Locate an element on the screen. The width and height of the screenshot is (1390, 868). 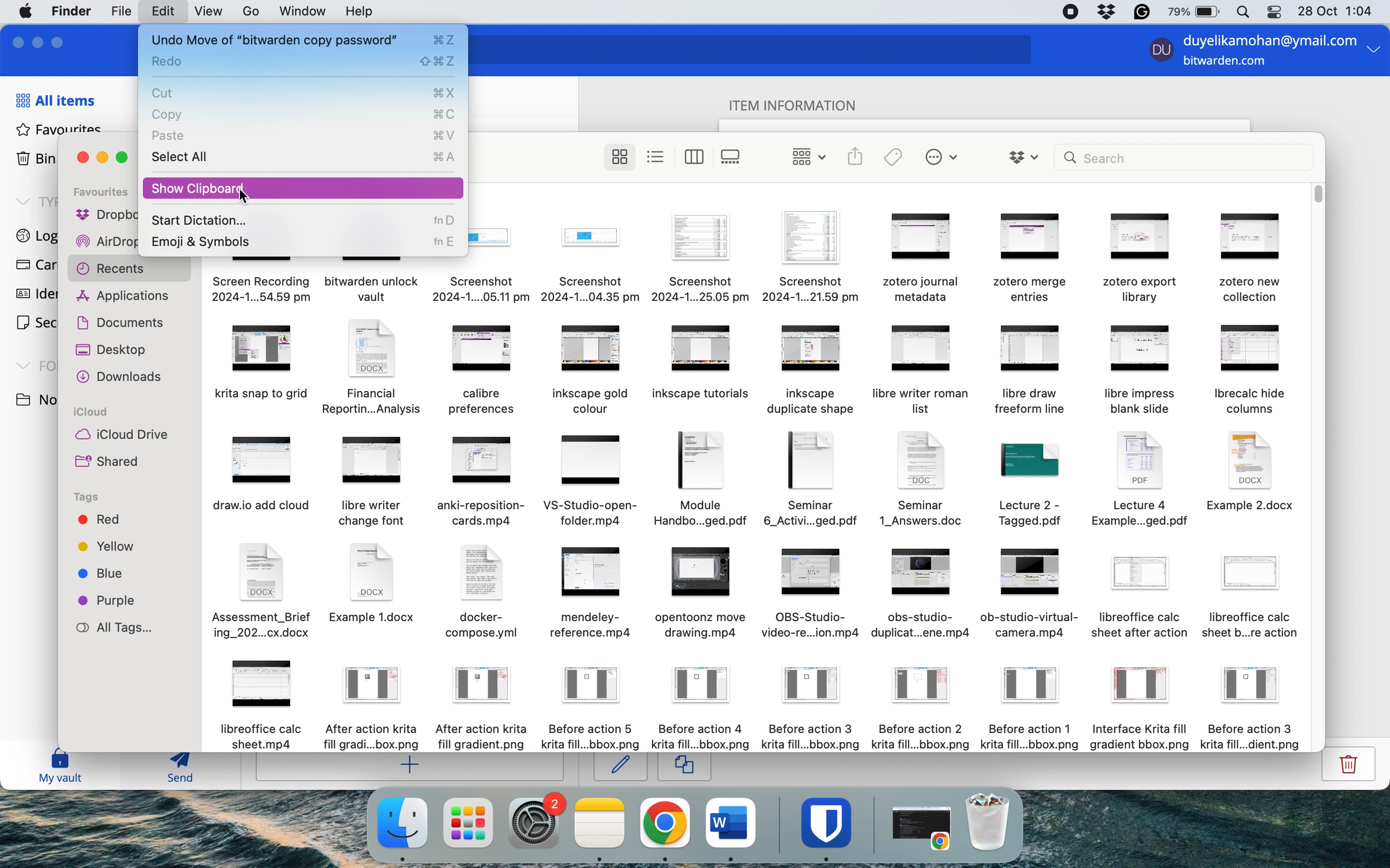
airdrop is located at coordinates (106, 243).